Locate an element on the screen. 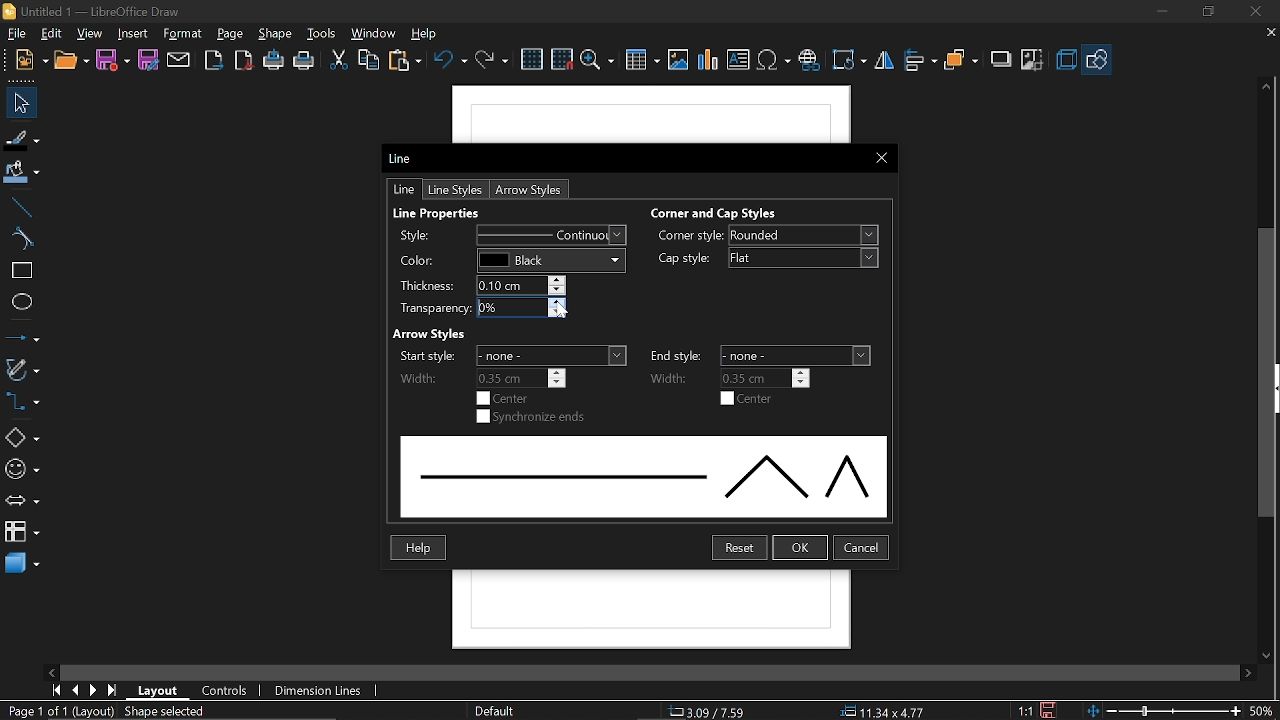 Image resolution: width=1280 pixels, height=720 pixels. Center is located at coordinates (747, 399).